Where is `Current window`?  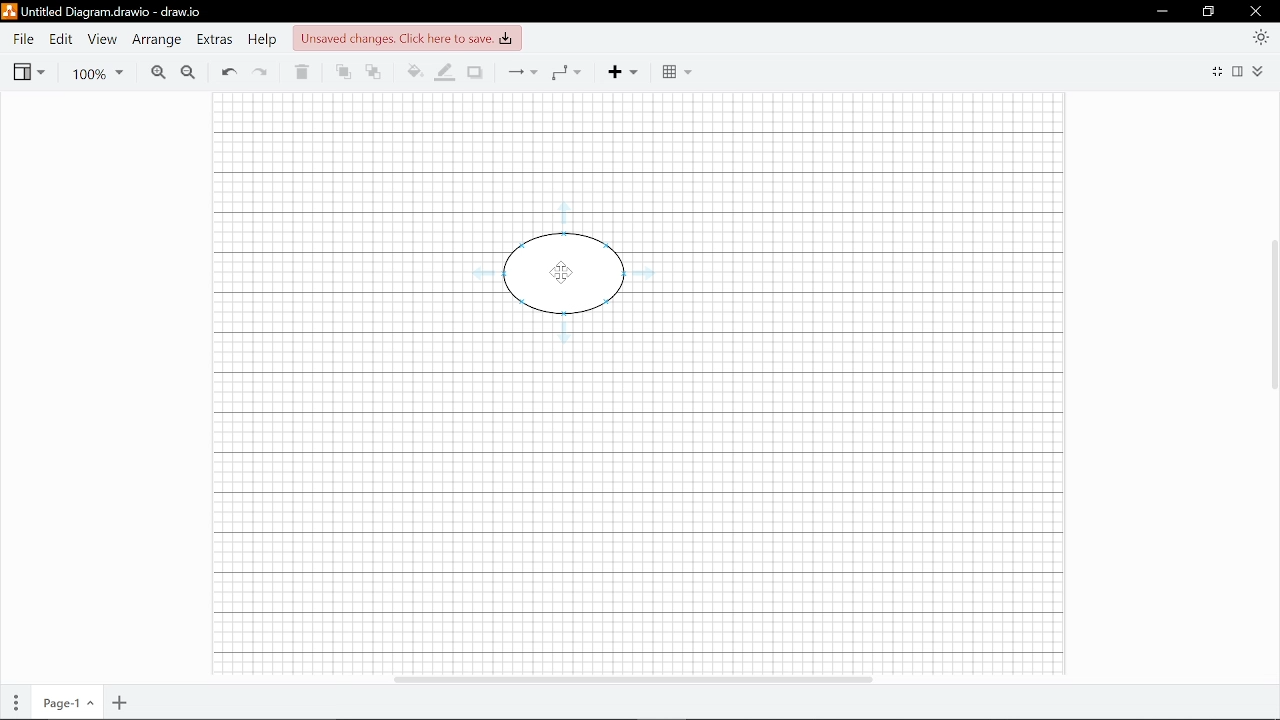 Current window is located at coordinates (102, 12).